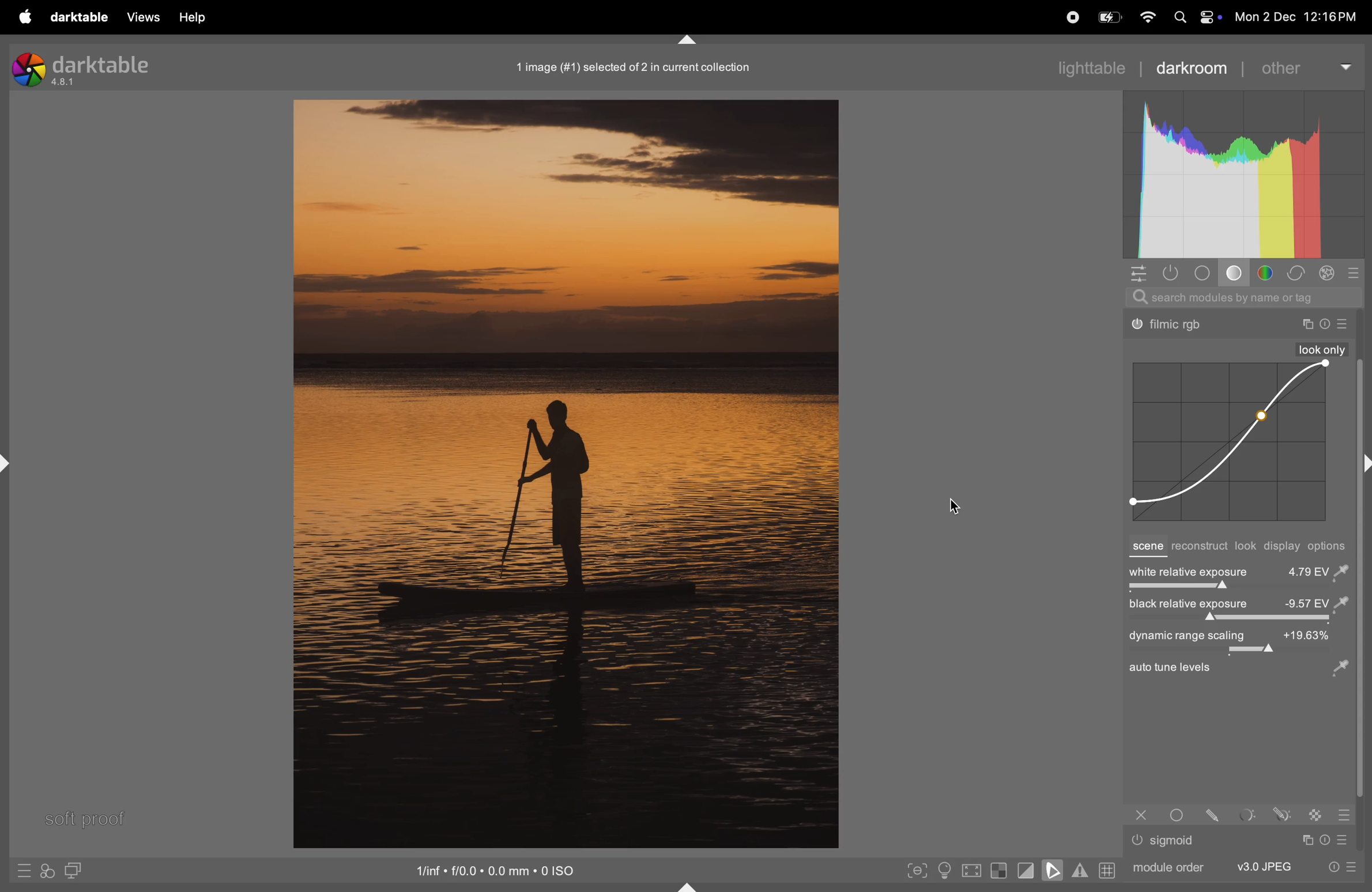 This screenshot has height=892, width=1372. I want to click on batttery, so click(1109, 18).